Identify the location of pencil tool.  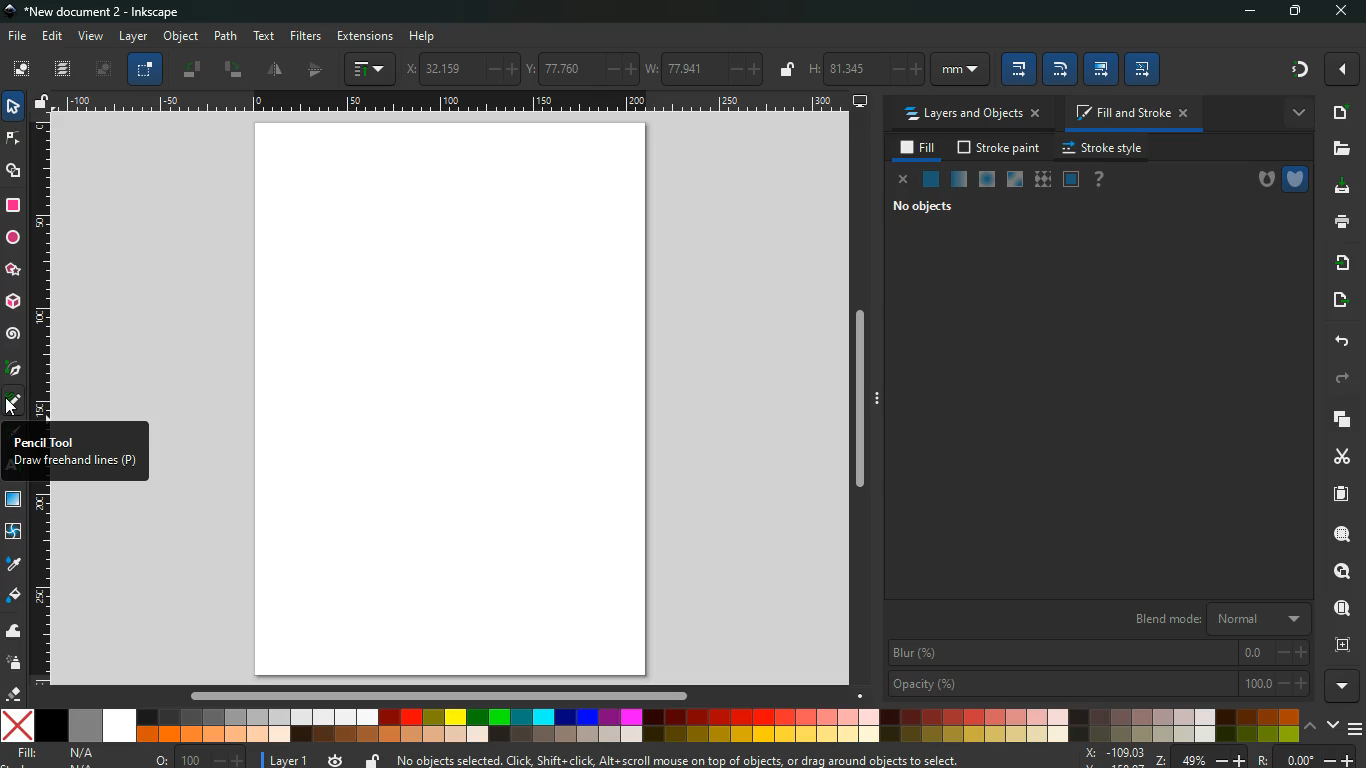
(14, 404).